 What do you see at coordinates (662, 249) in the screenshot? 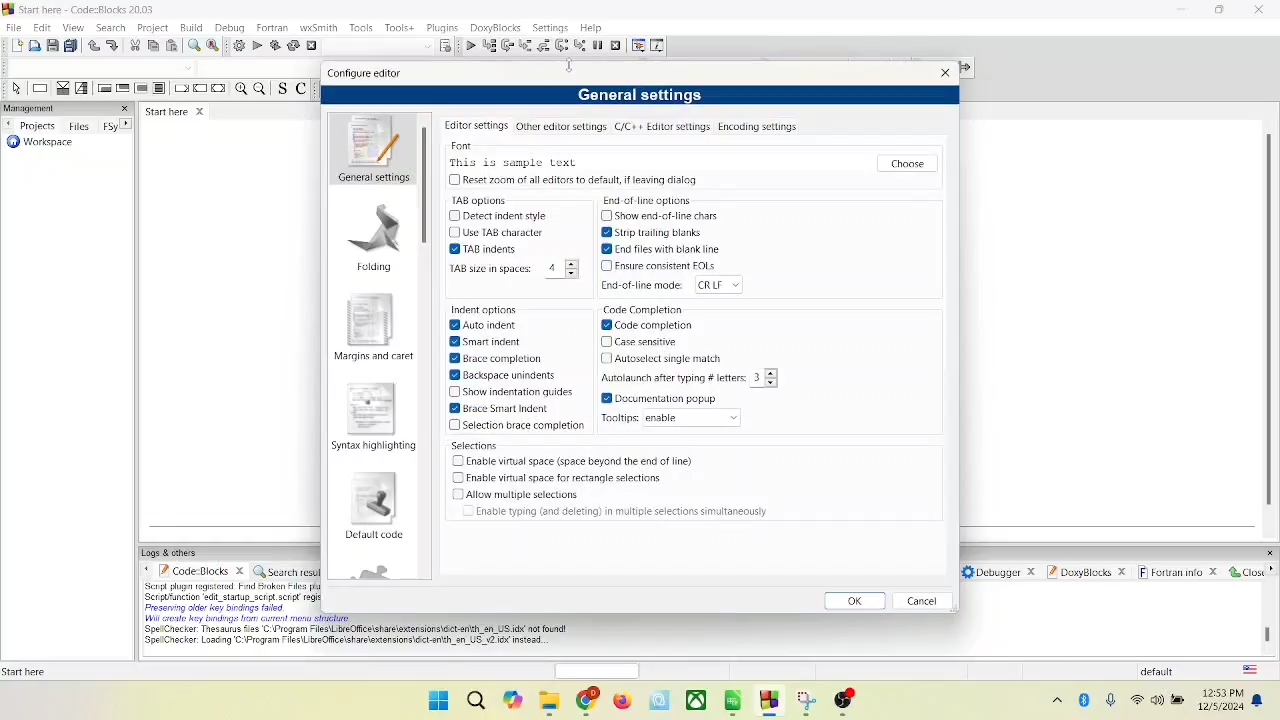
I see `end files` at bounding box center [662, 249].